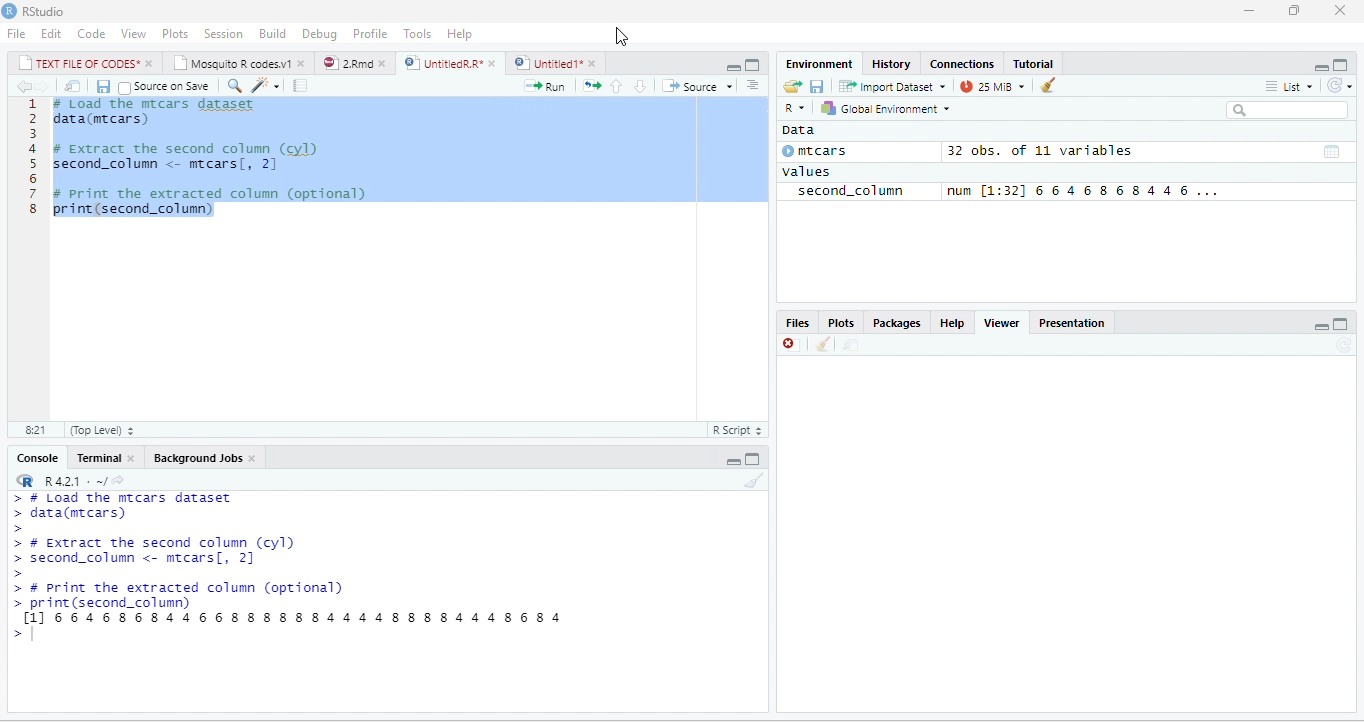 The width and height of the screenshot is (1364, 722). What do you see at coordinates (590, 86) in the screenshot?
I see `re-run the previous code region` at bounding box center [590, 86].